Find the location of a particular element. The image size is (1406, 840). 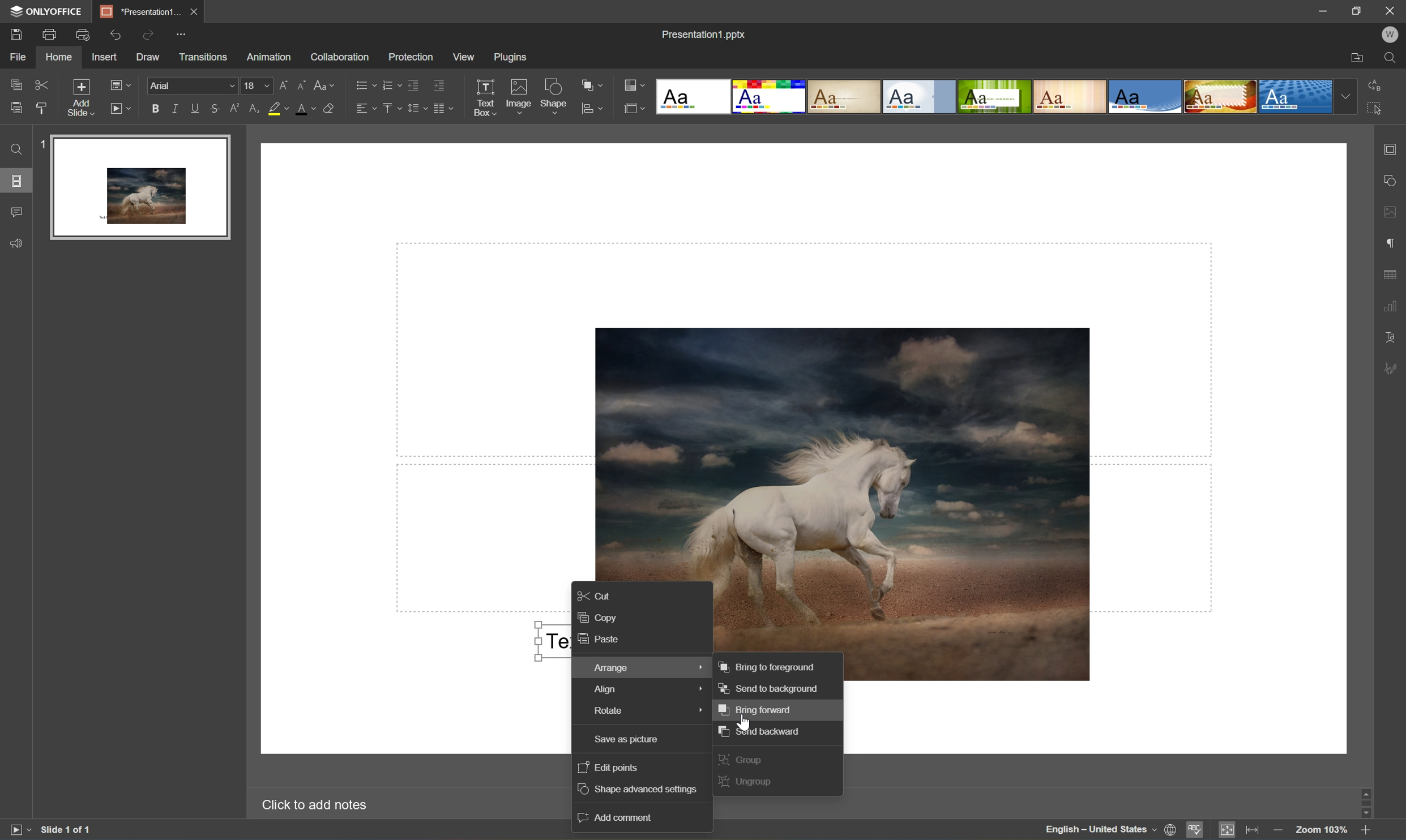

Blank is located at coordinates (695, 97).